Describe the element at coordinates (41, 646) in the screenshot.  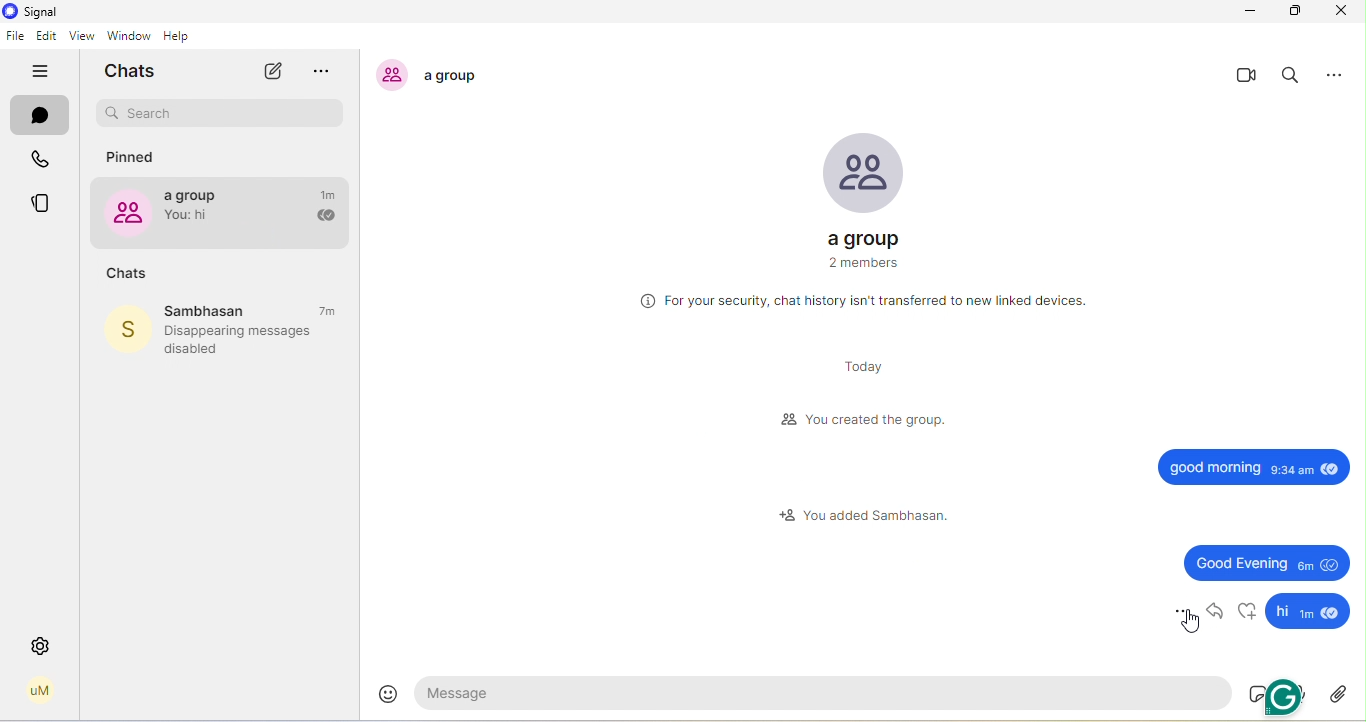
I see `settings` at that location.